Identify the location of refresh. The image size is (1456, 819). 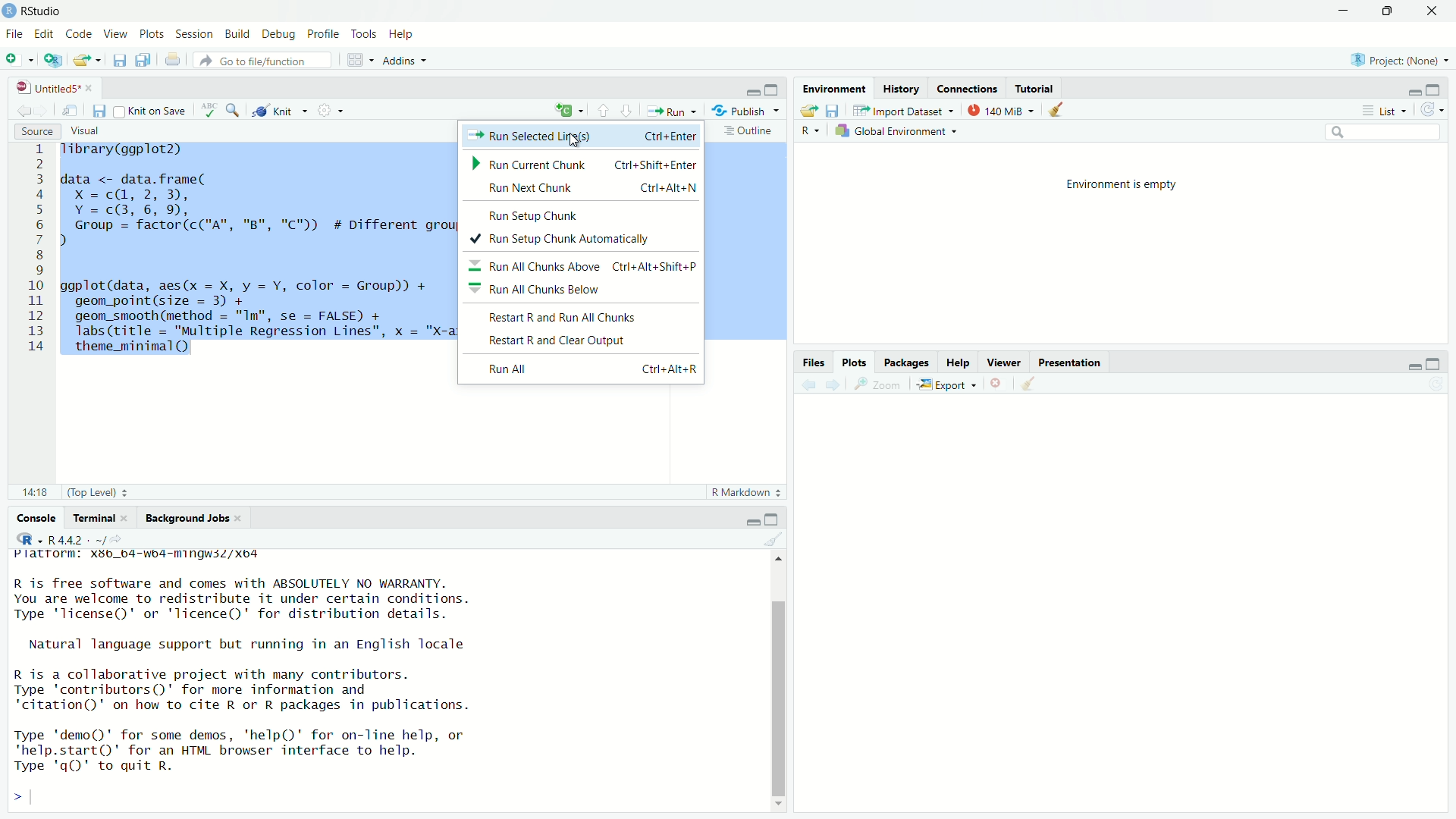
(1440, 385).